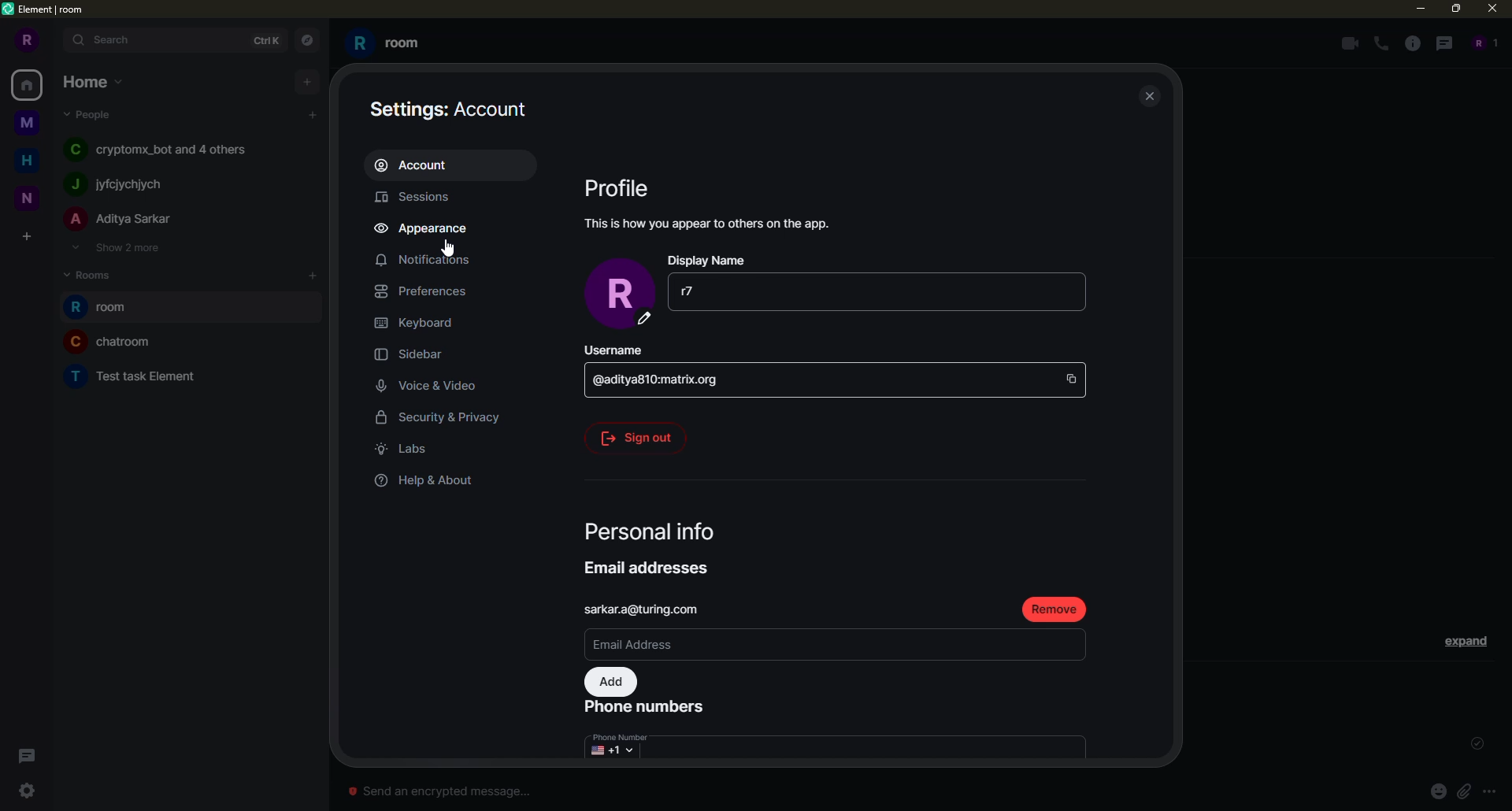 The image size is (1512, 811). What do you see at coordinates (638, 436) in the screenshot?
I see `sign out` at bounding box center [638, 436].